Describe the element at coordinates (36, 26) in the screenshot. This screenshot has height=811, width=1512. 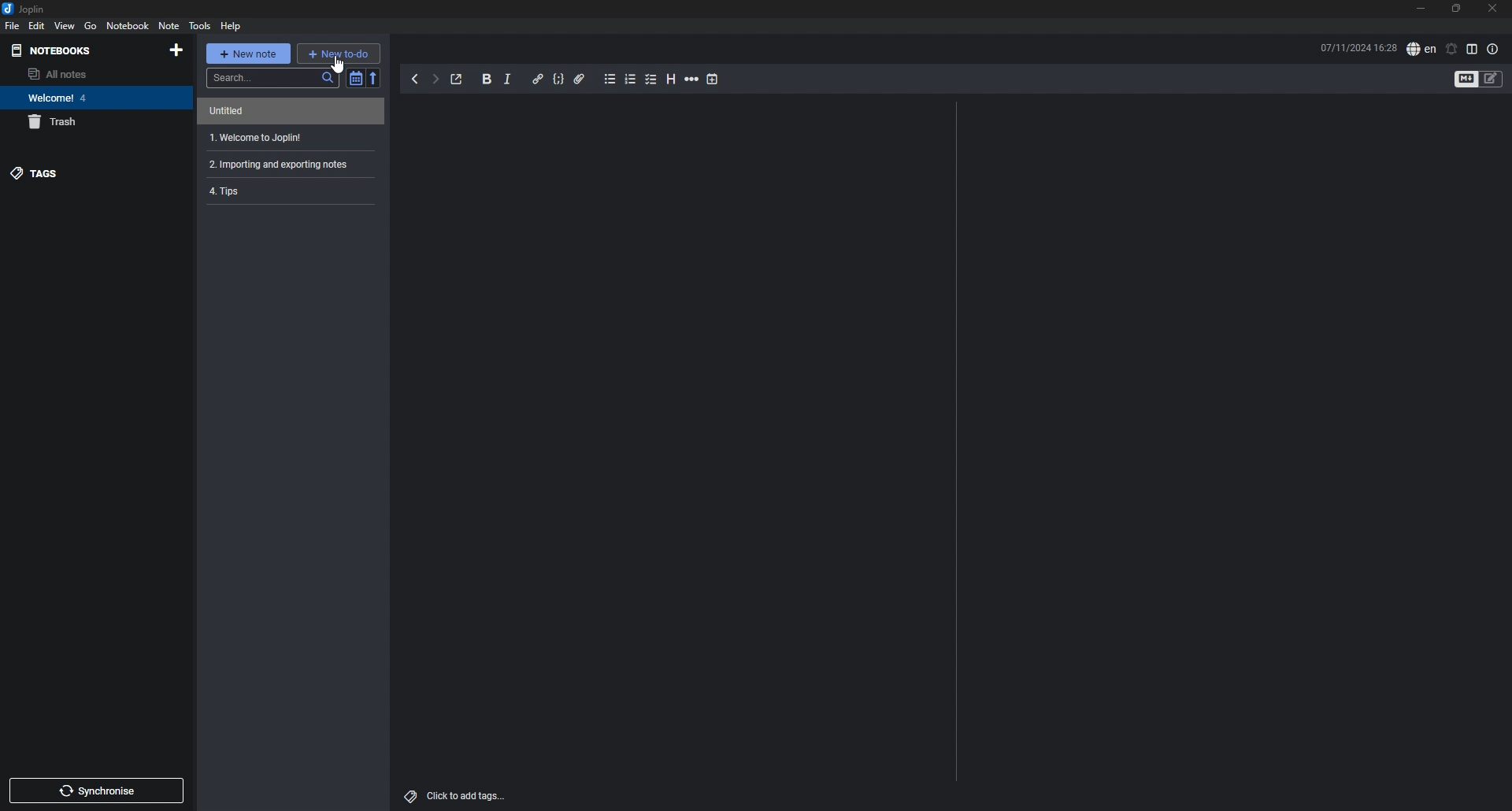
I see `edit` at that location.